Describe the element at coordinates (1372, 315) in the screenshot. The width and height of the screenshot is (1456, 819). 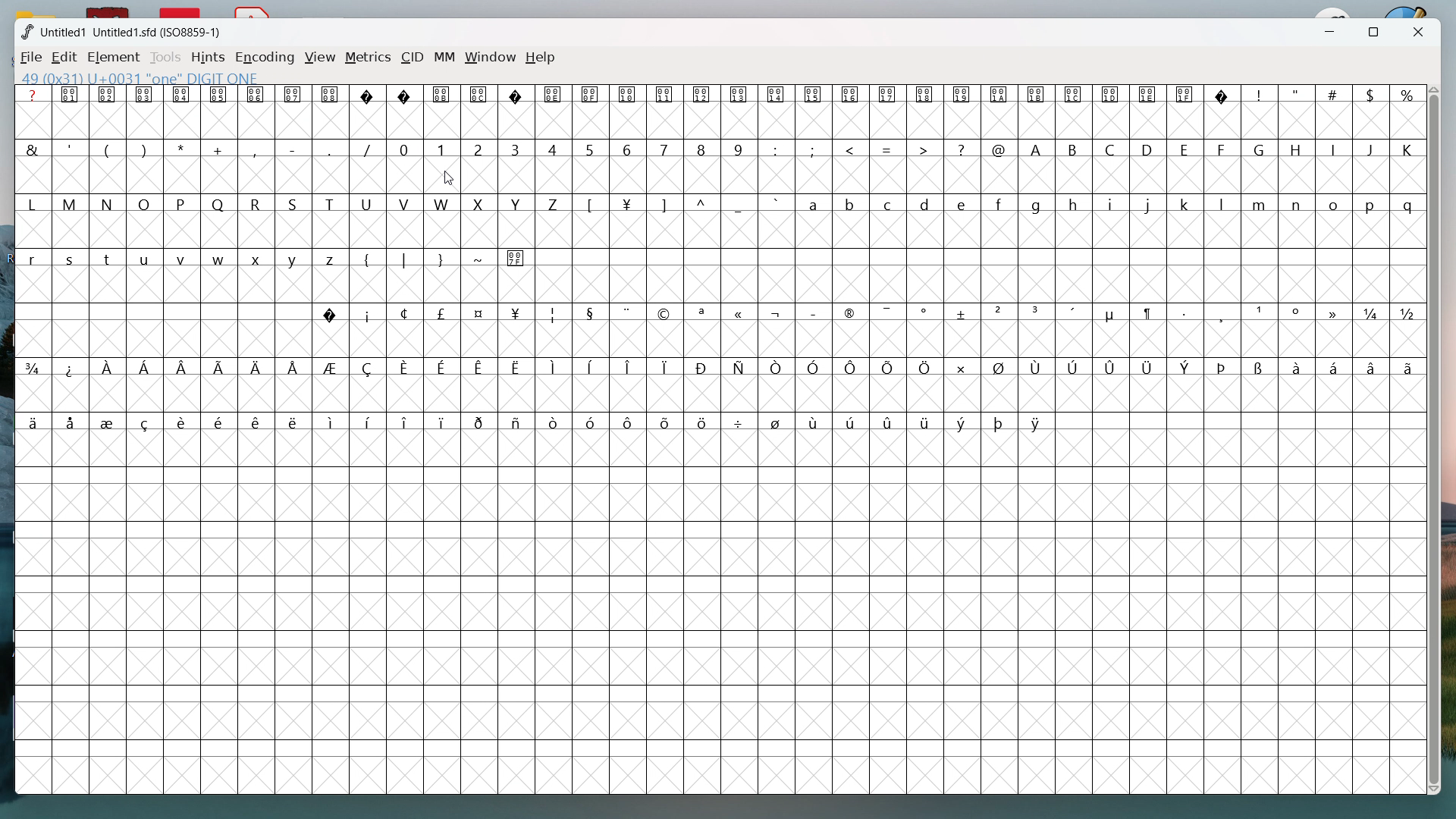
I see `symbol` at that location.